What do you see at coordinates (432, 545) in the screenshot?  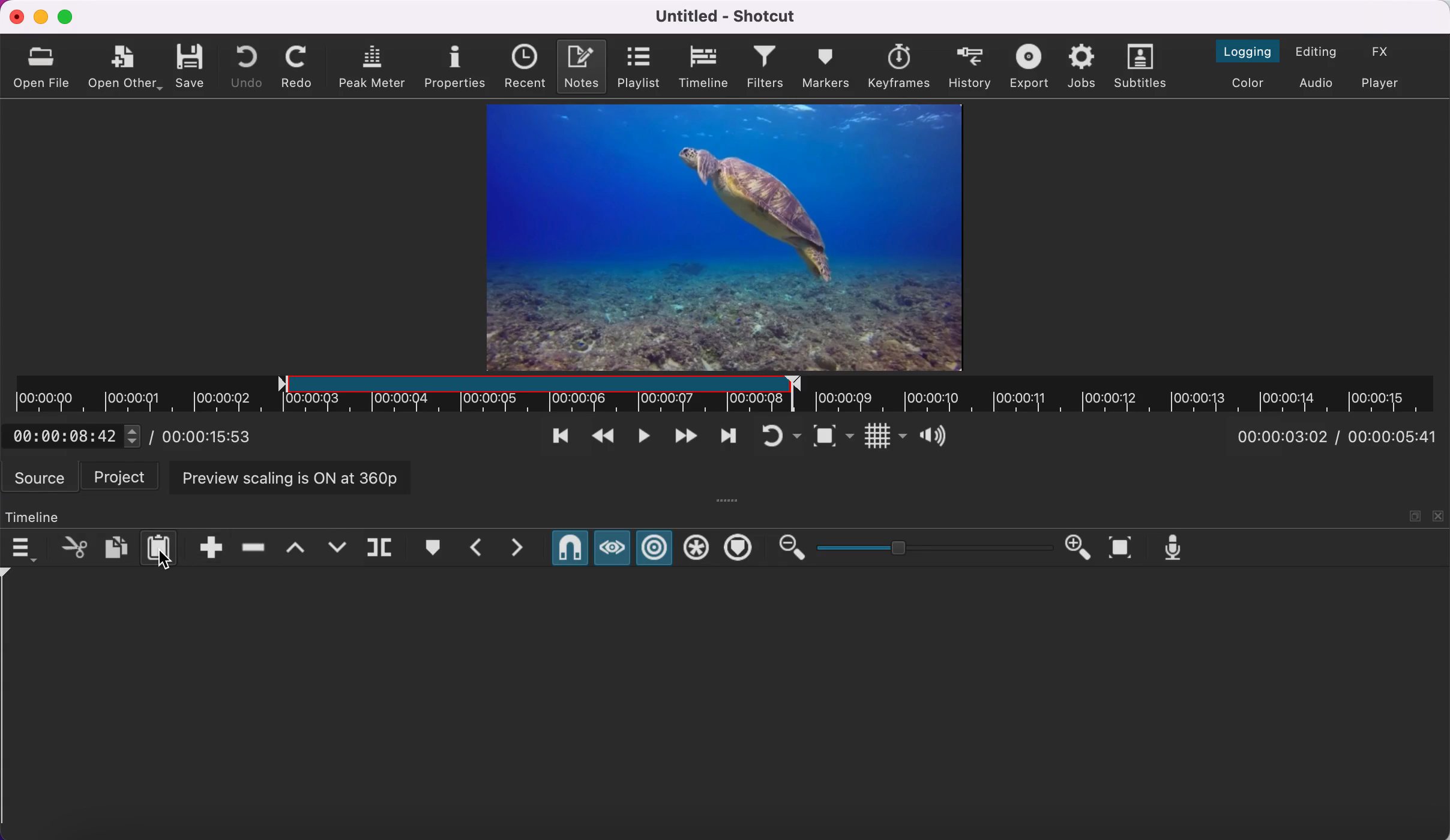 I see `create/edit marker` at bounding box center [432, 545].